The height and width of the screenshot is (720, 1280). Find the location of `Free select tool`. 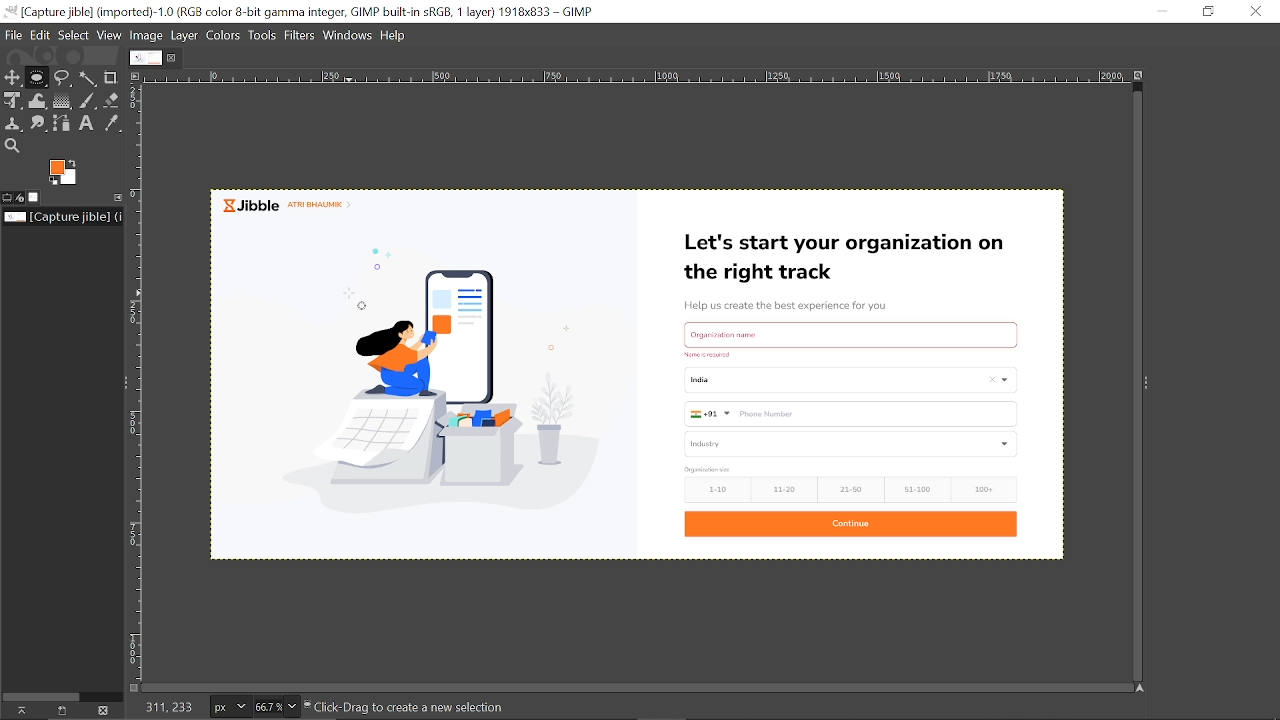

Free select tool is located at coordinates (64, 78).